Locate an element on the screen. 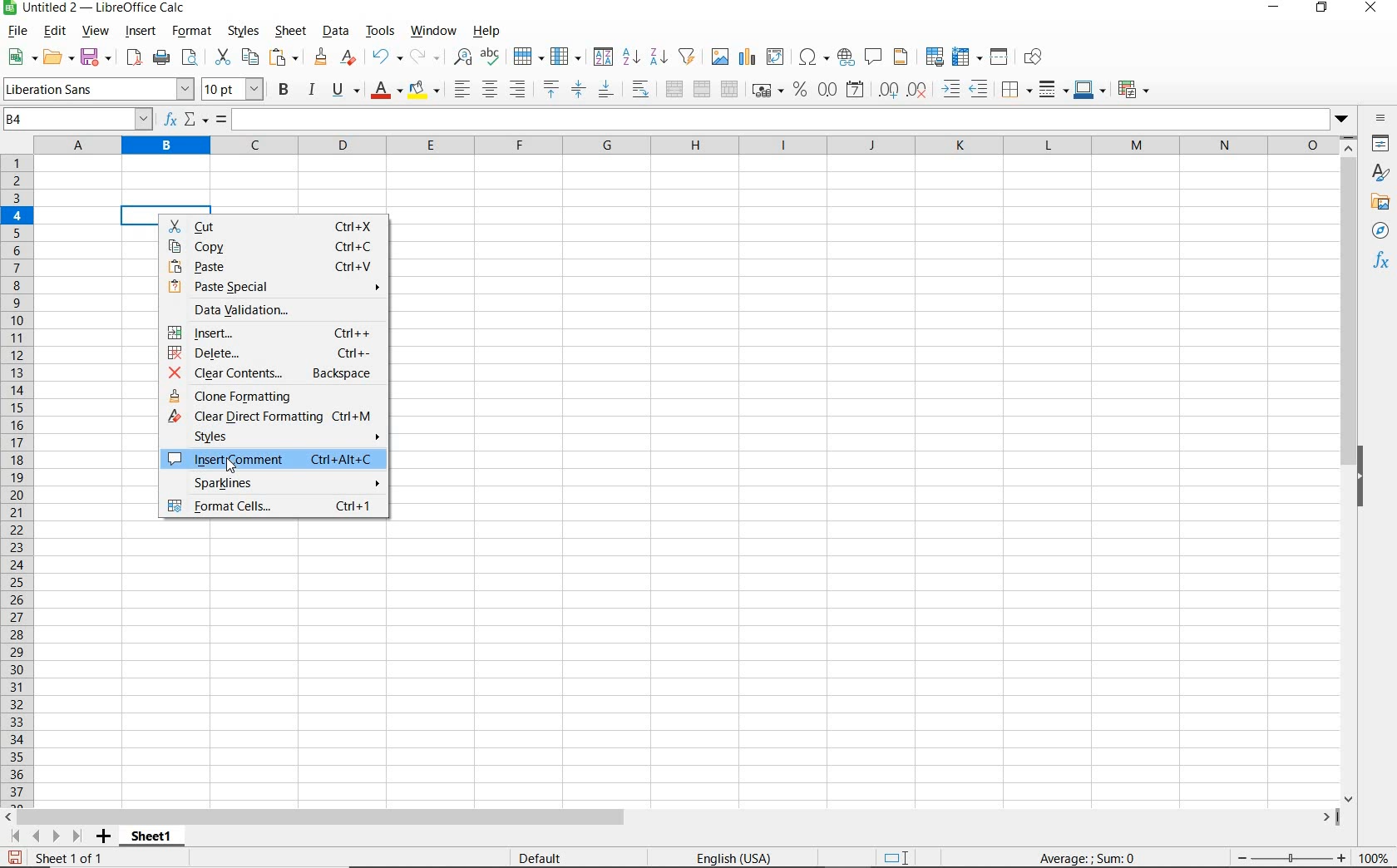  window is located at coordinates (432, 31).